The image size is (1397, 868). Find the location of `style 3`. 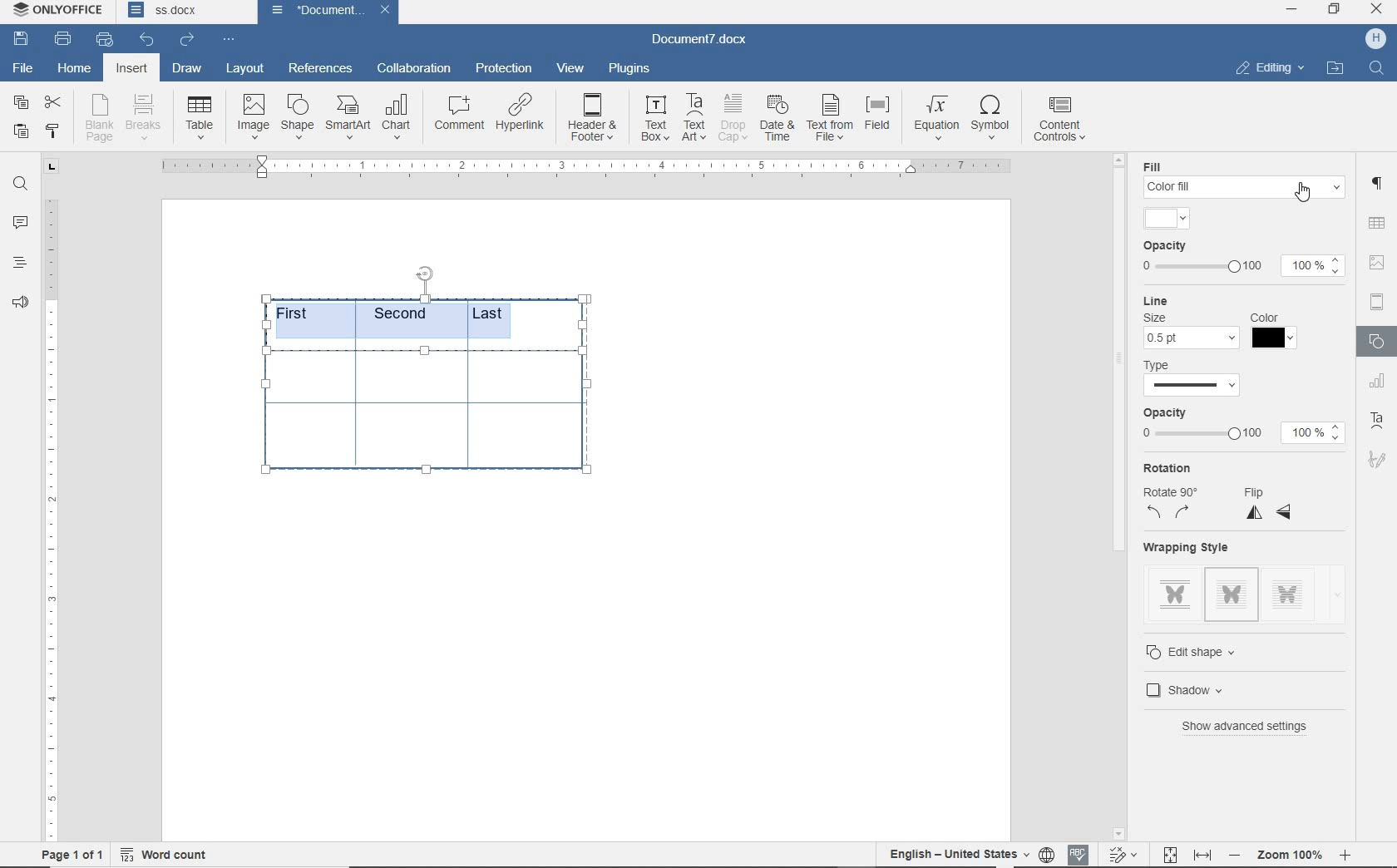

style 3 is located at coordinates (1288, 590).